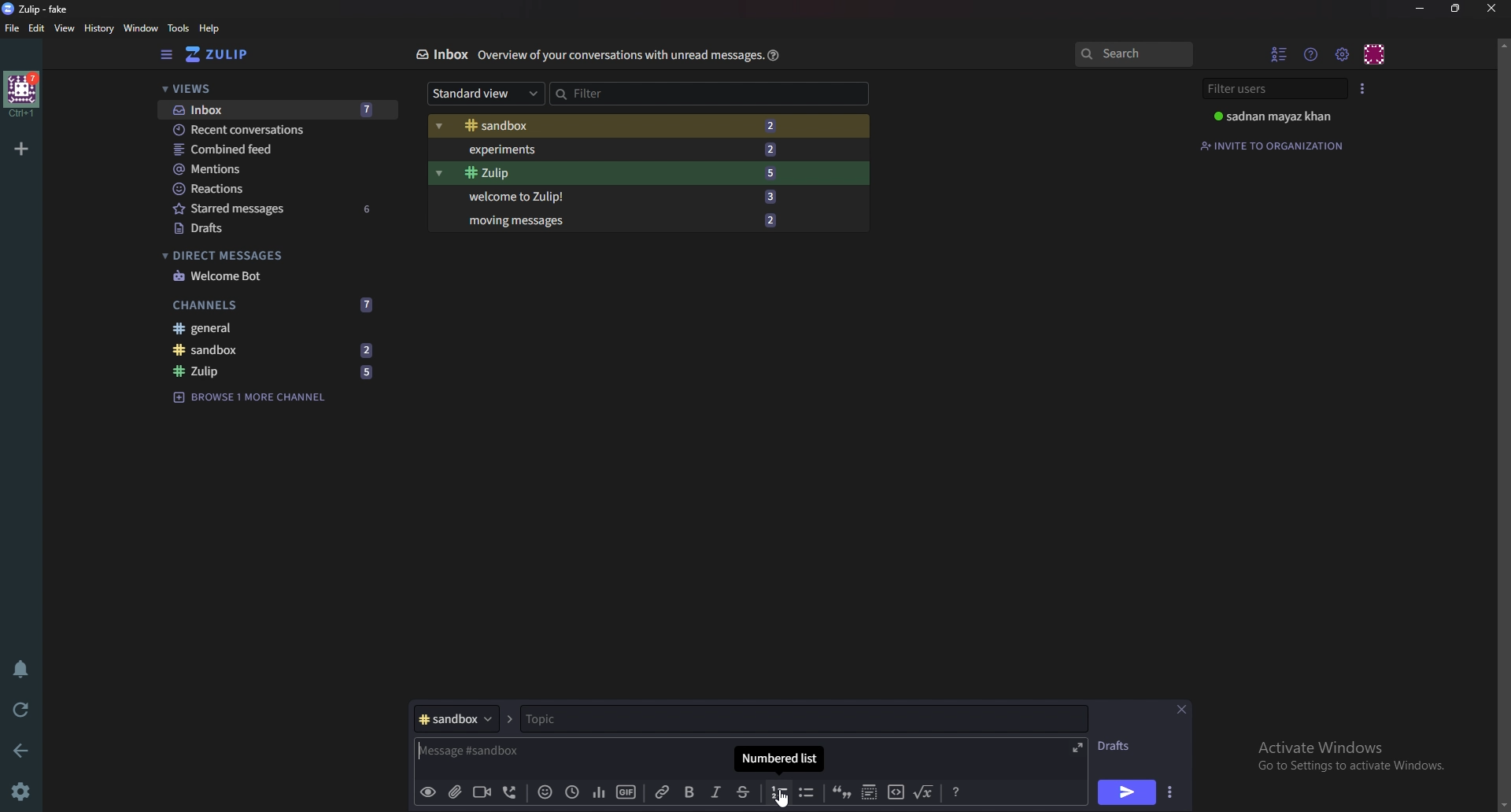 The width and height of the screenshot is (1511, 812). What do you see at coordinates (1280, 54) in the screenshot?
I see `hide User list` at bounding box center [1280, 54].